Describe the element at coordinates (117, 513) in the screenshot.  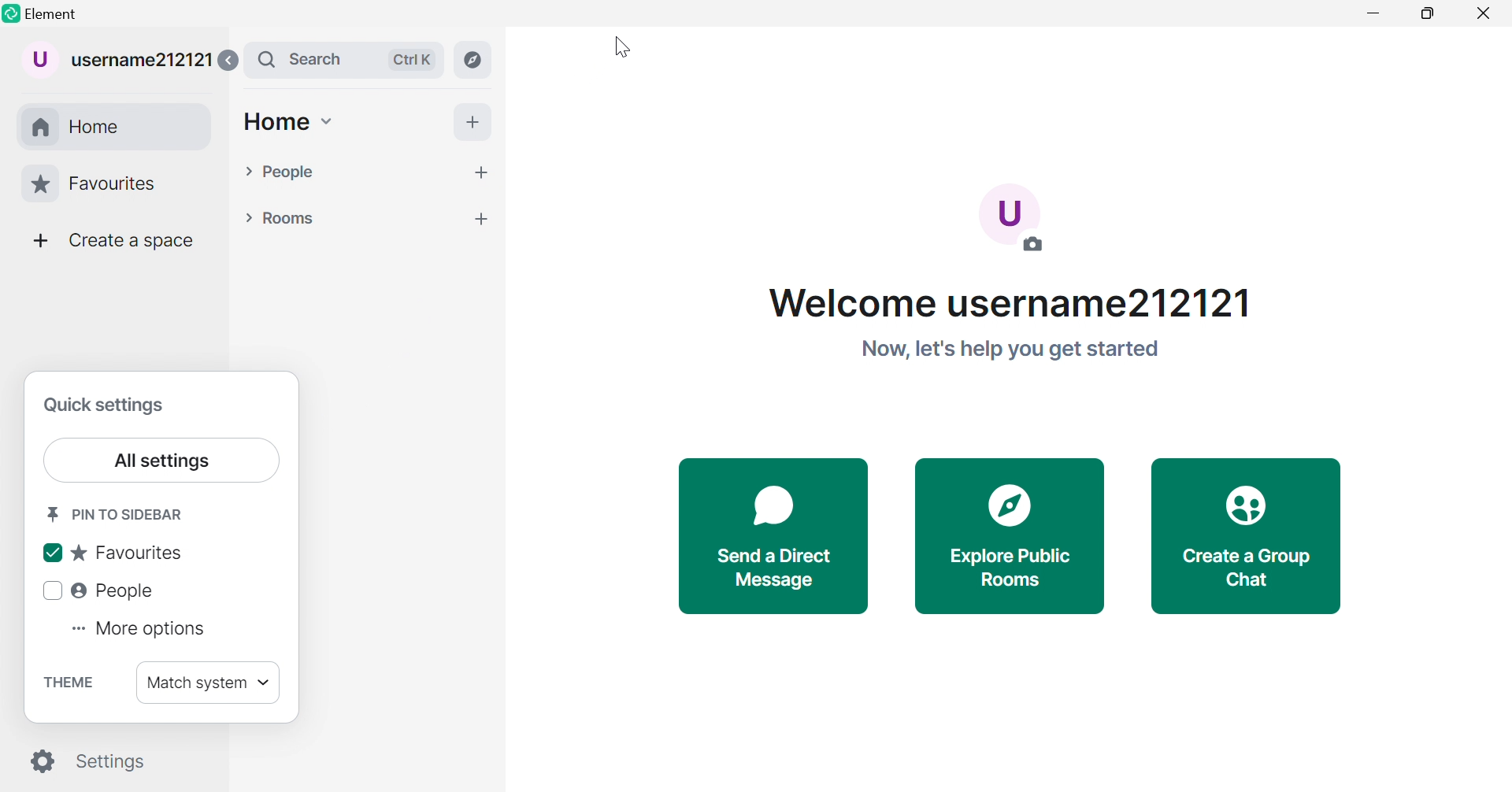
I see `Pin to sidebar` at that location.